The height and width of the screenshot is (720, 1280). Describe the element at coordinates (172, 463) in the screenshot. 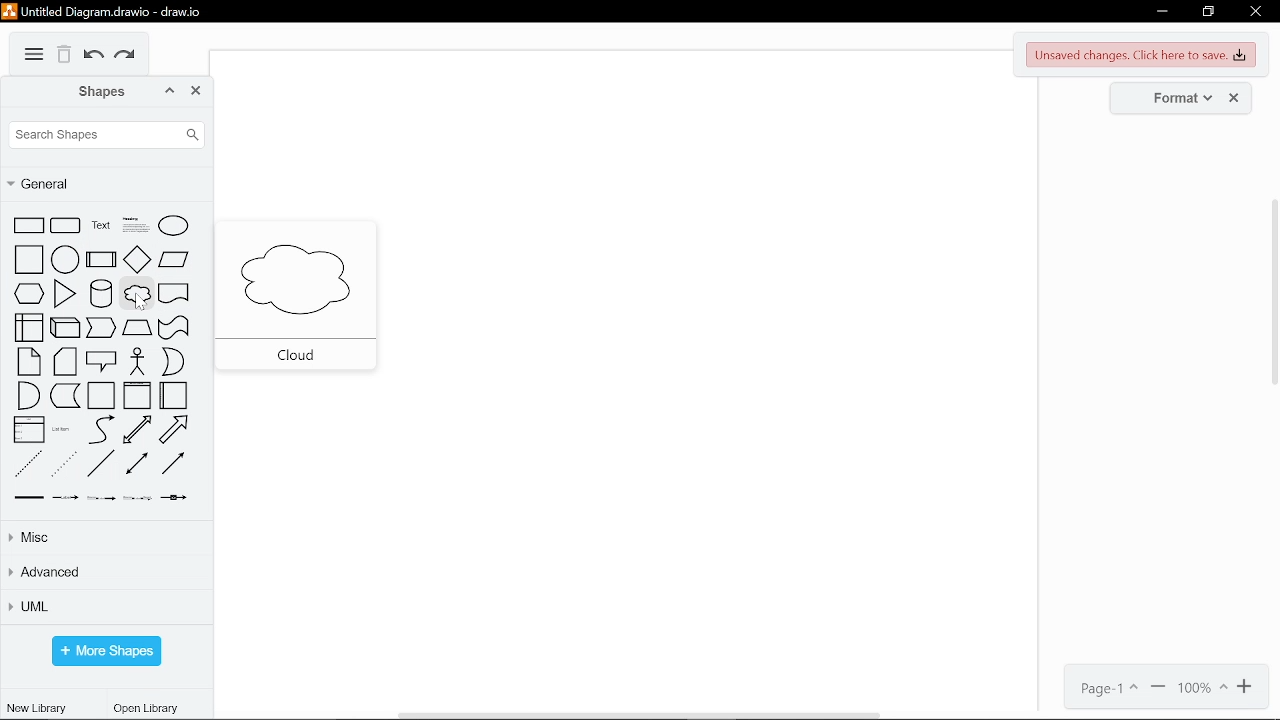

I see `directional connector` at that location.